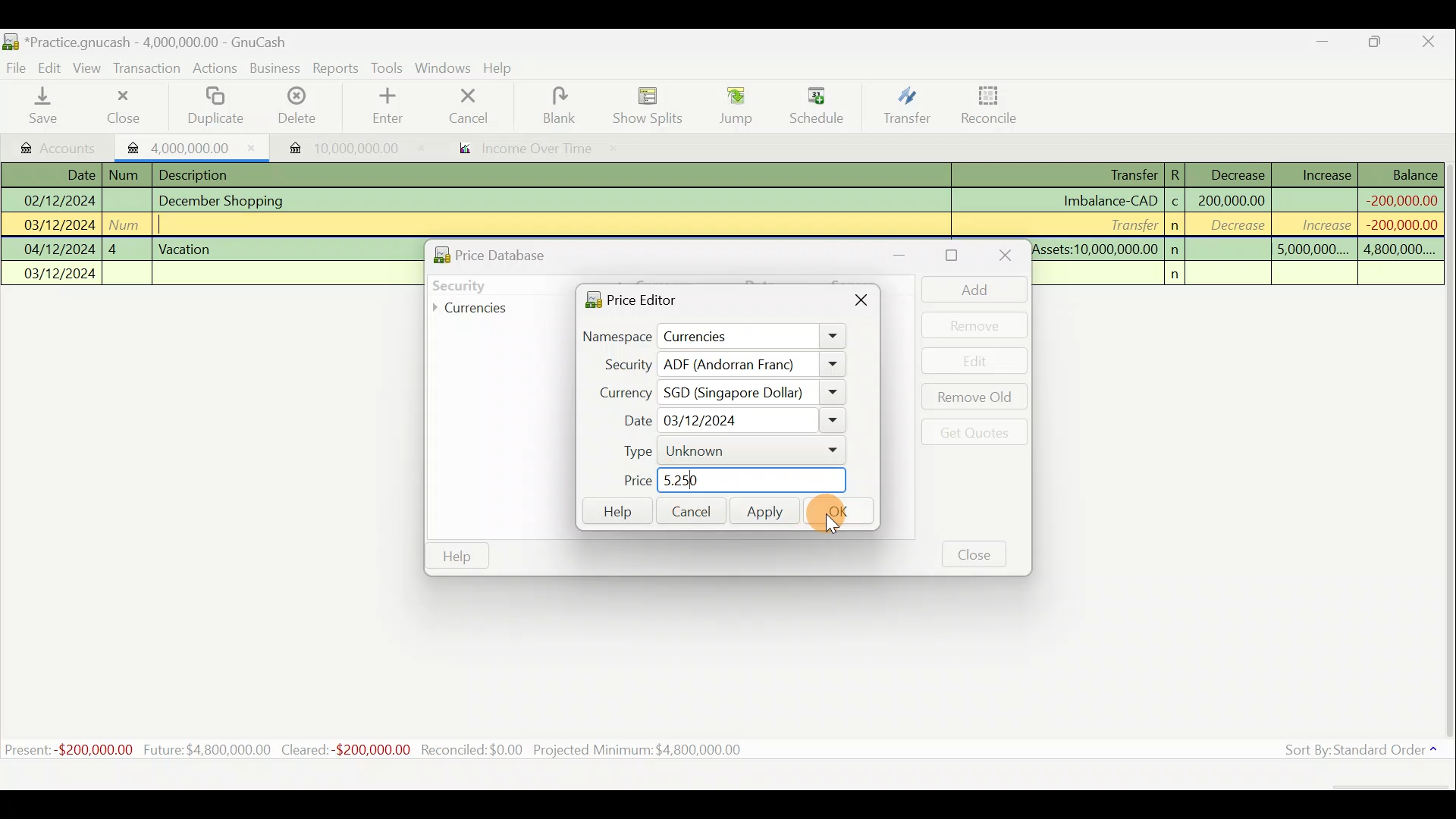  What do you see at coordinates (121, 106) in the screenshot?
I see `Close` at bounding box center [121, 106].